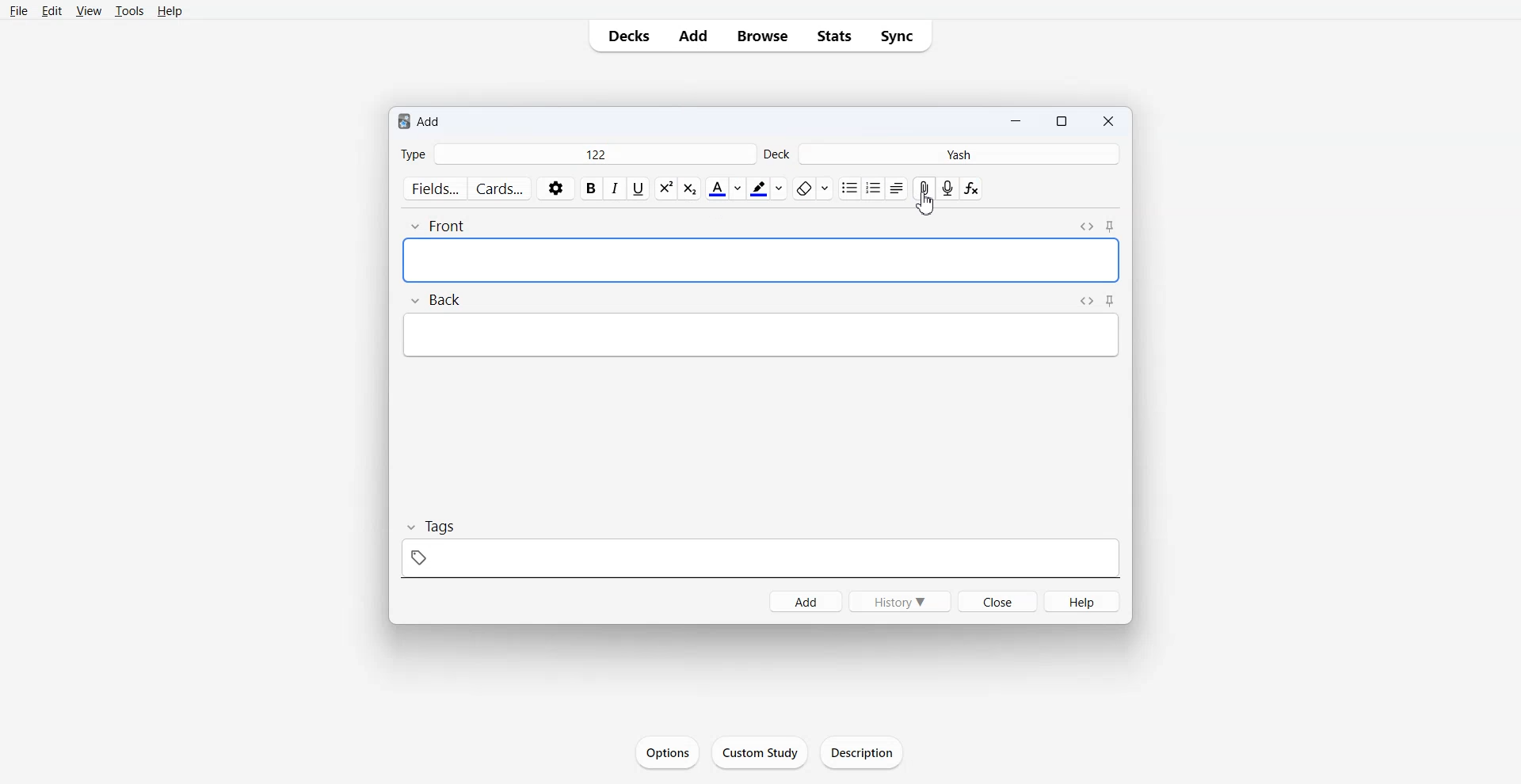  I want to click on Minimize, so click(1014, 120).